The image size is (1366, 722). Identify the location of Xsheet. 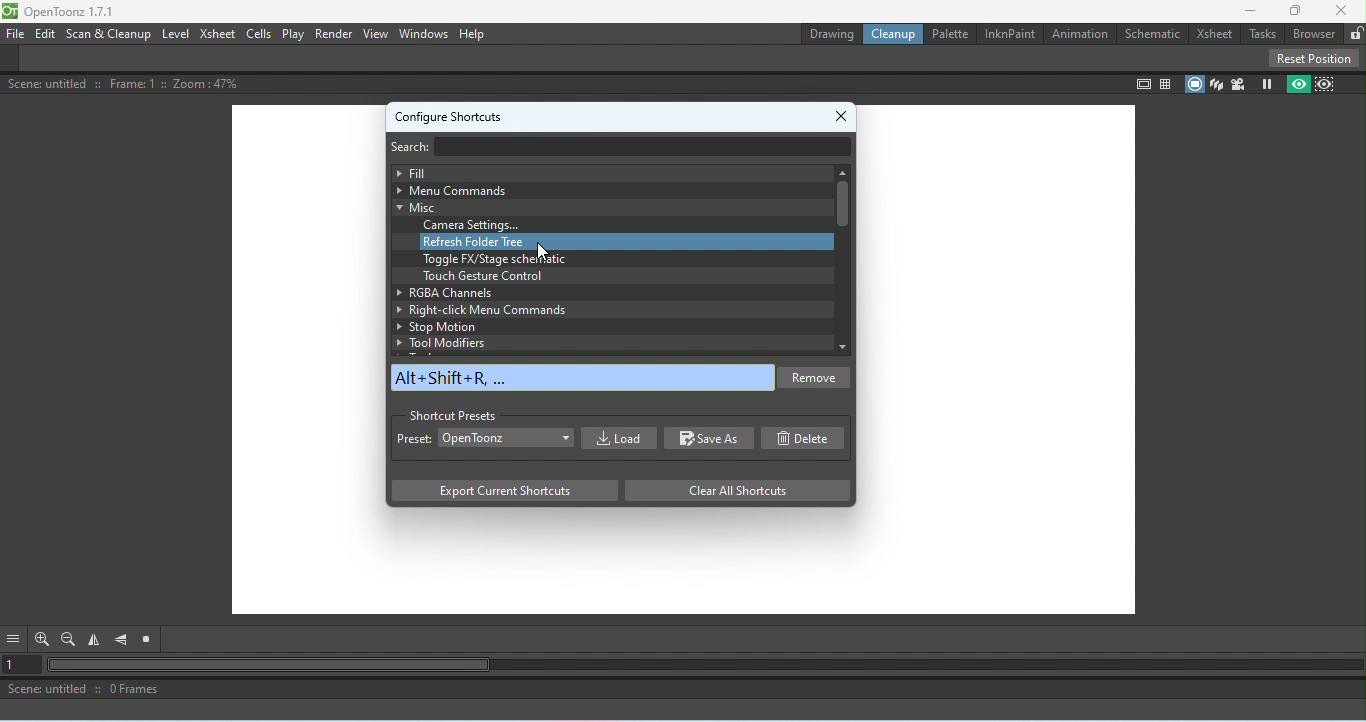
(218, 34).